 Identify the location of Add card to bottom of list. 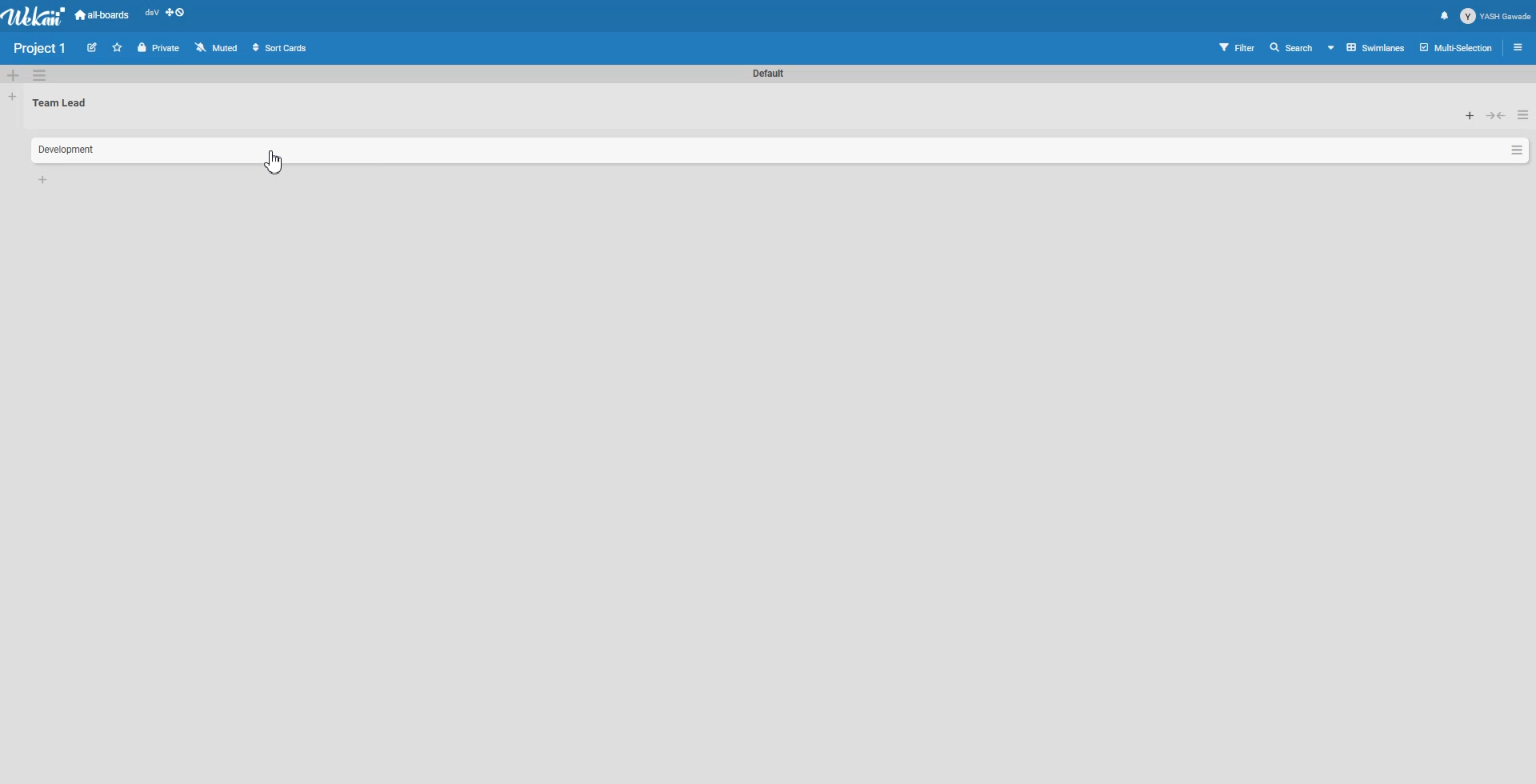
(43, 180).